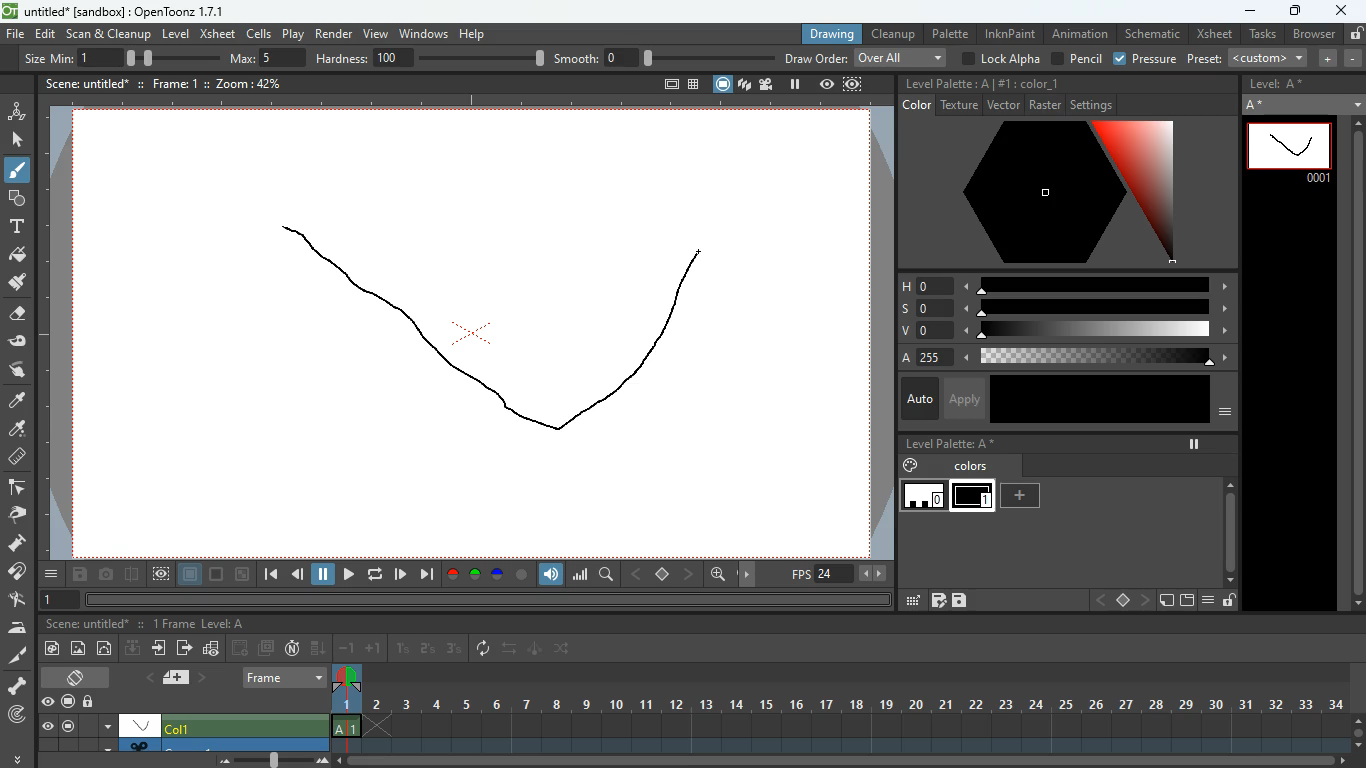 The width and height of the screenshot is (1366, 768). I want to click on scroll, so click(1229, 519).